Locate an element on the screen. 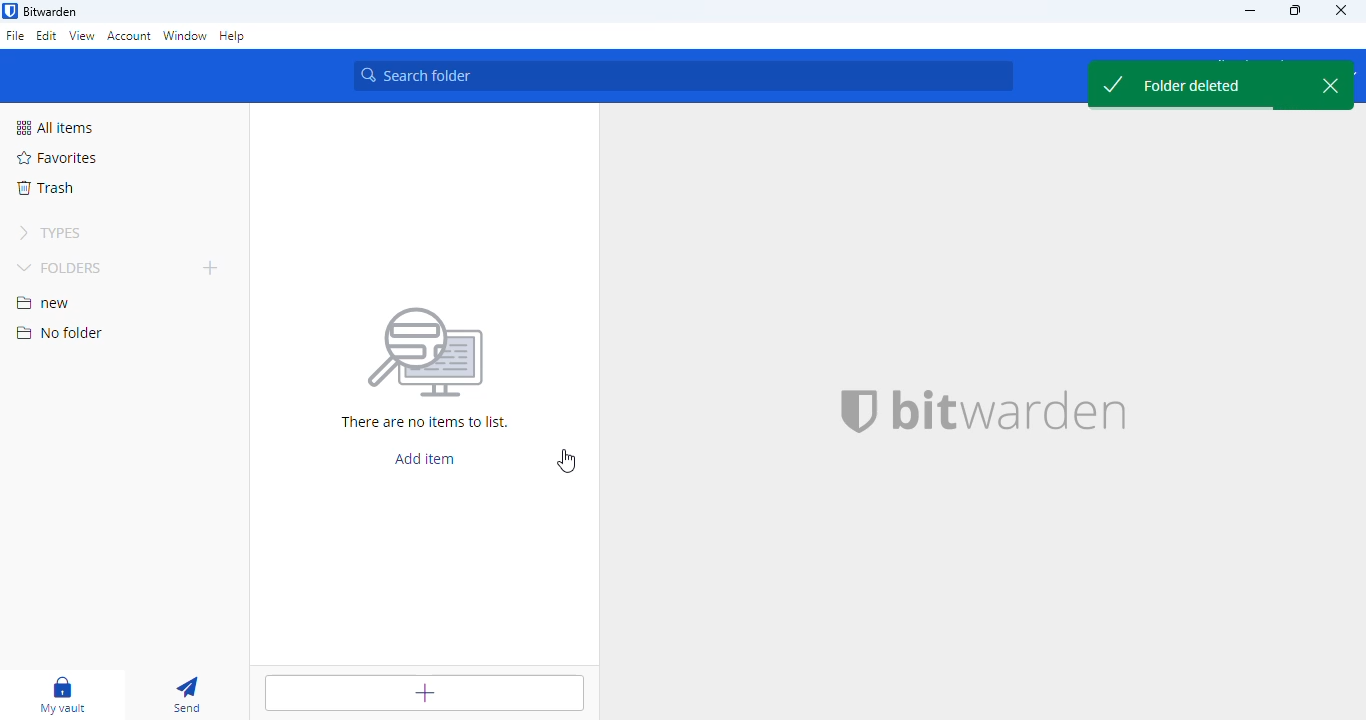  help is located at coordinates (233, 37).